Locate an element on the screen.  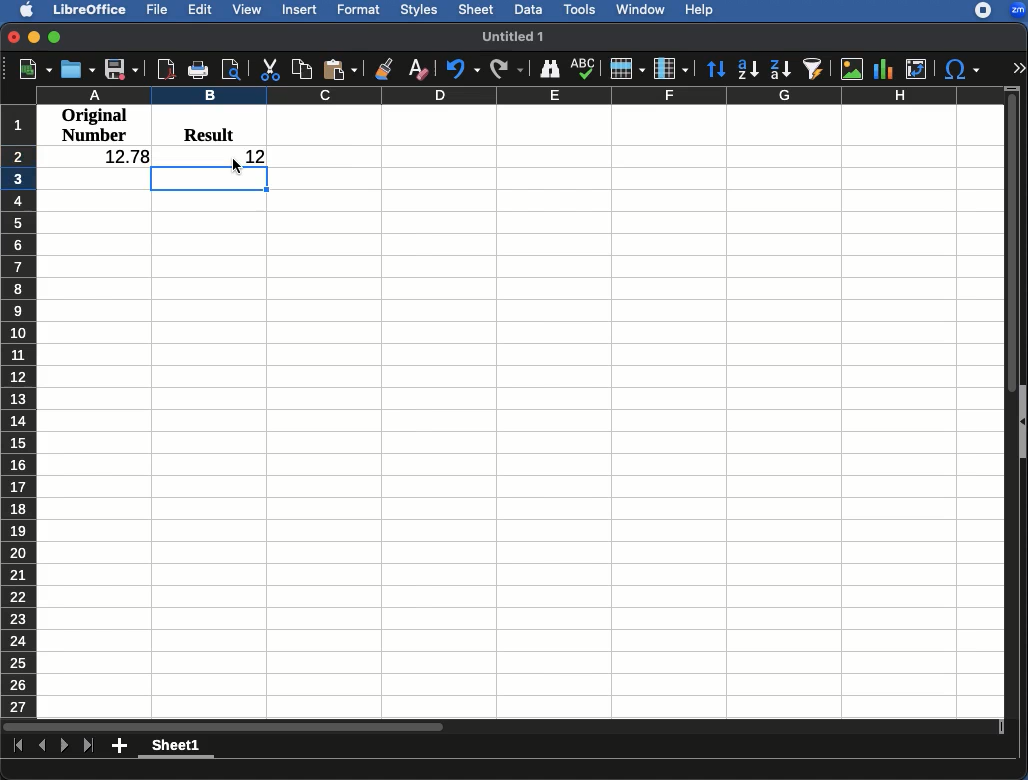
Next page is located at coordinates (65, 746).